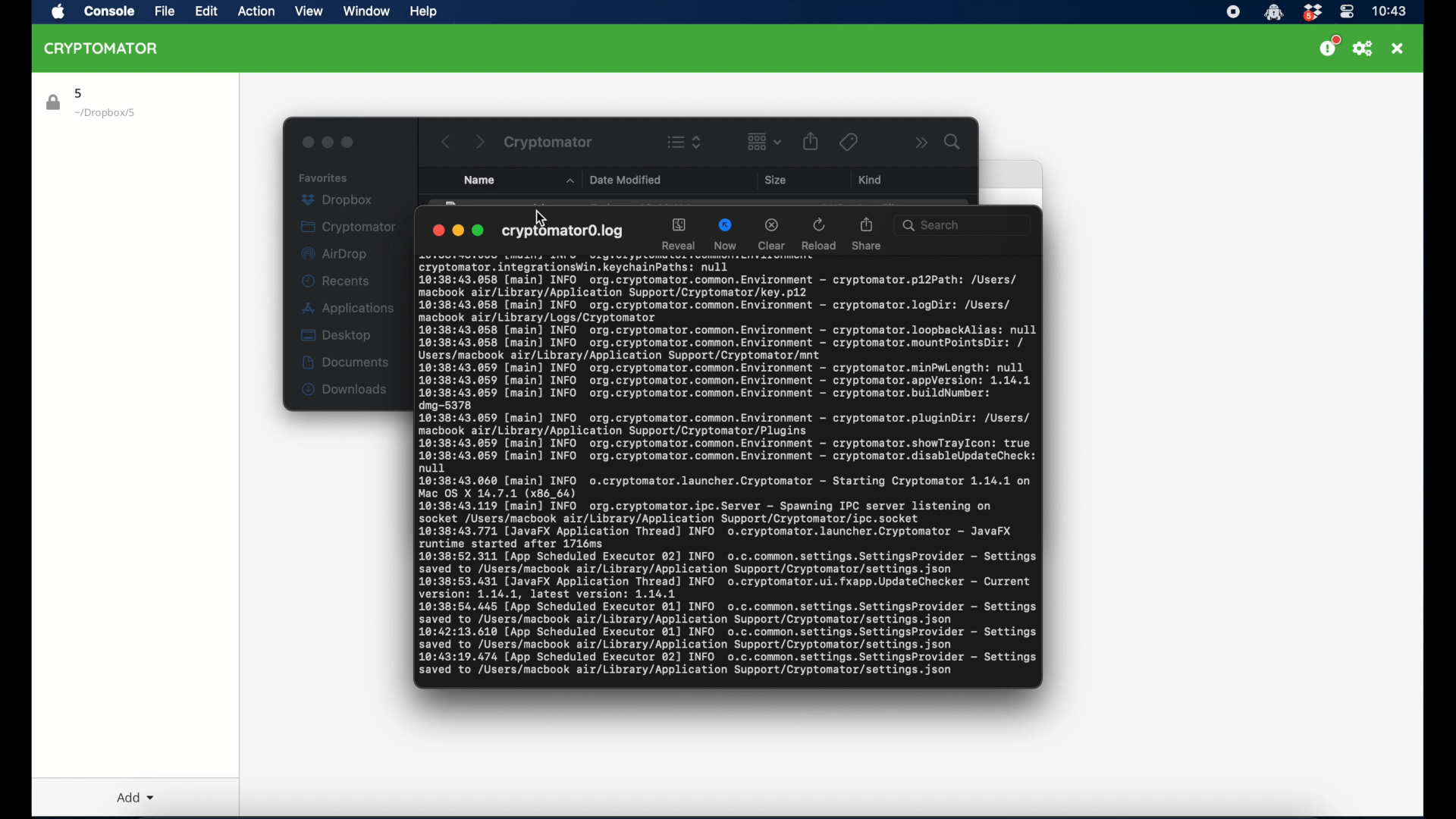  I want to click on cryptomator, so click(100, 49).